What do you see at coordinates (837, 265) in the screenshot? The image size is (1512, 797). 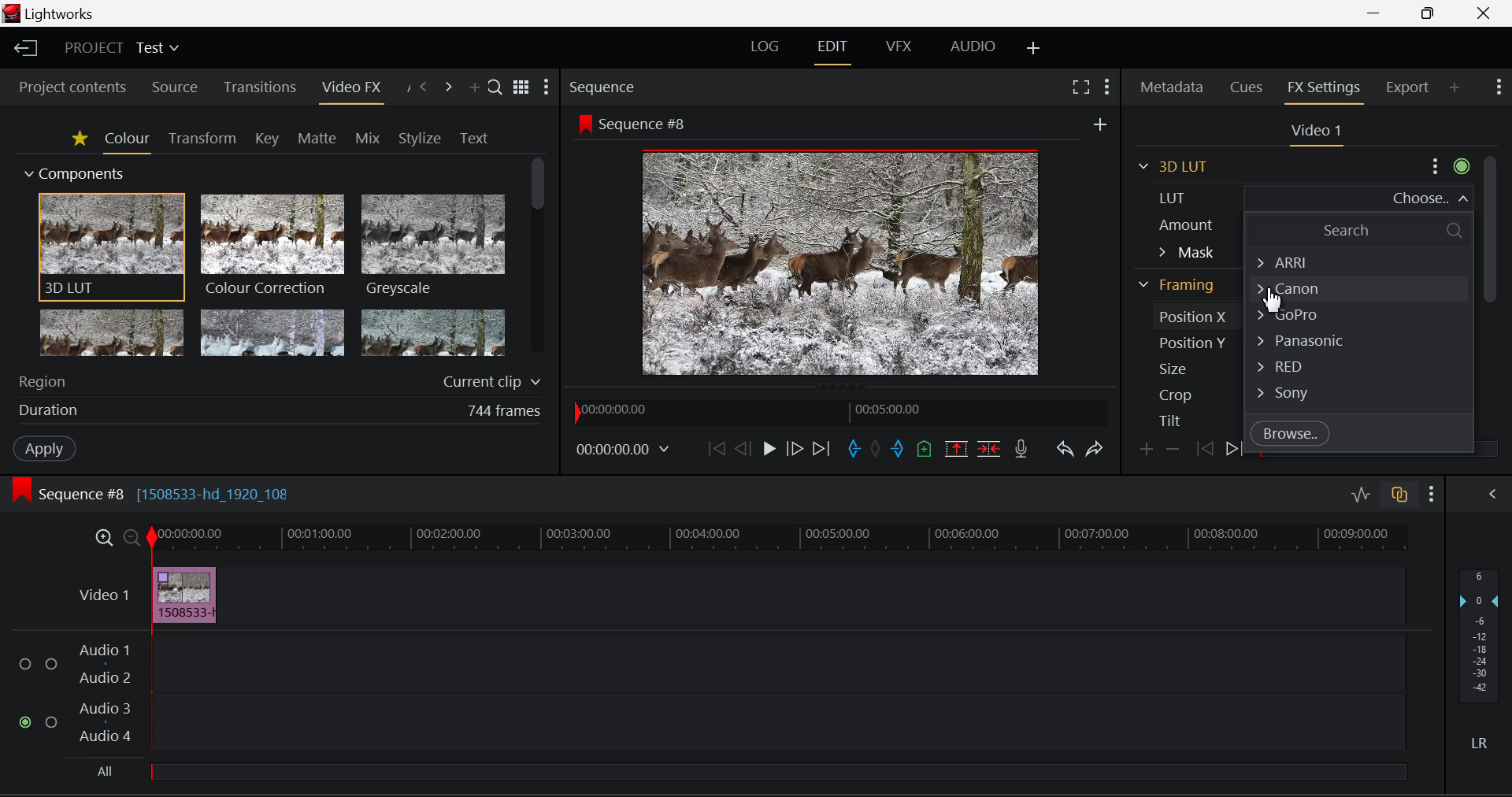 I see `Sequence Preview Screen` at bounding box center [837, 265].